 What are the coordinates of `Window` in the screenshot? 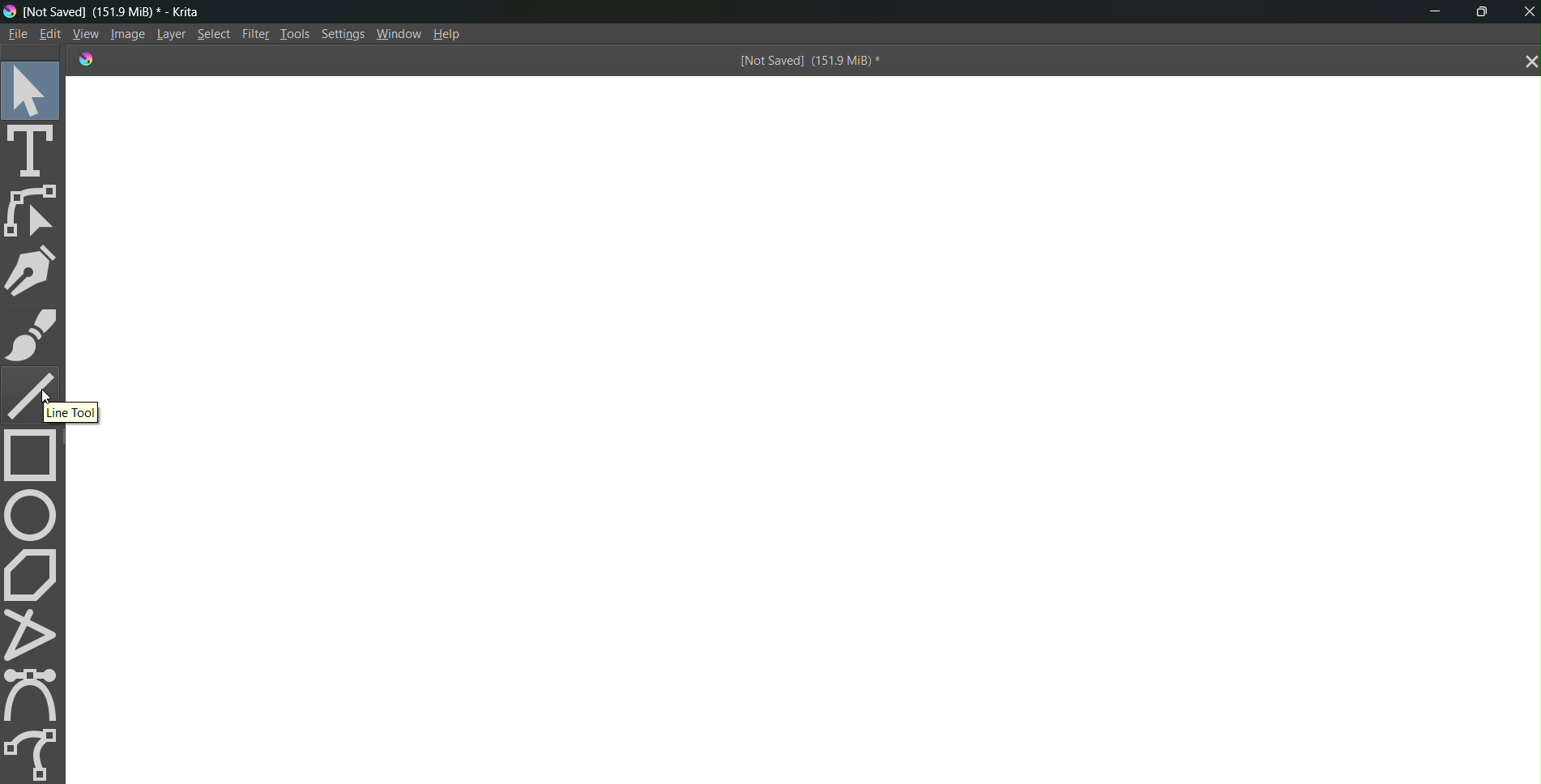 It's located at (399, 34).